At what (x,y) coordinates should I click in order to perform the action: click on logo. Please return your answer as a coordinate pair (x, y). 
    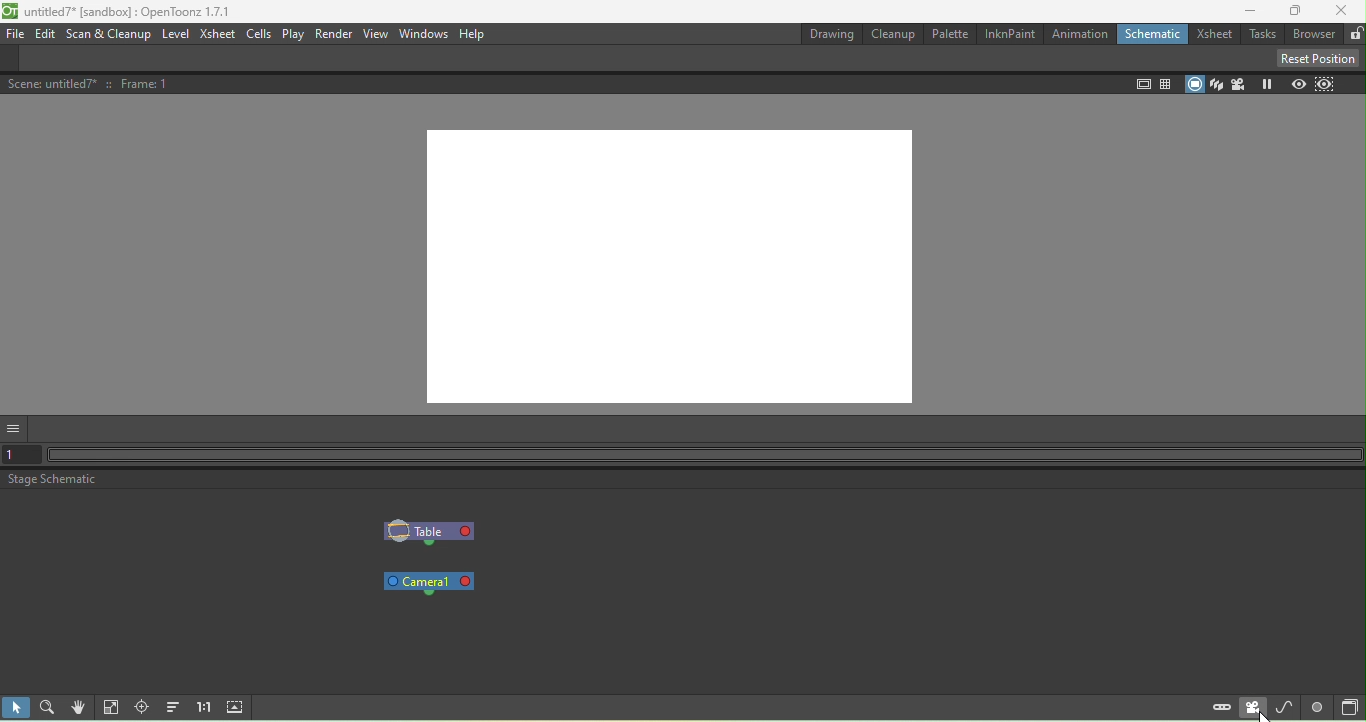
    Looking at the image, I should click on (9, 11).